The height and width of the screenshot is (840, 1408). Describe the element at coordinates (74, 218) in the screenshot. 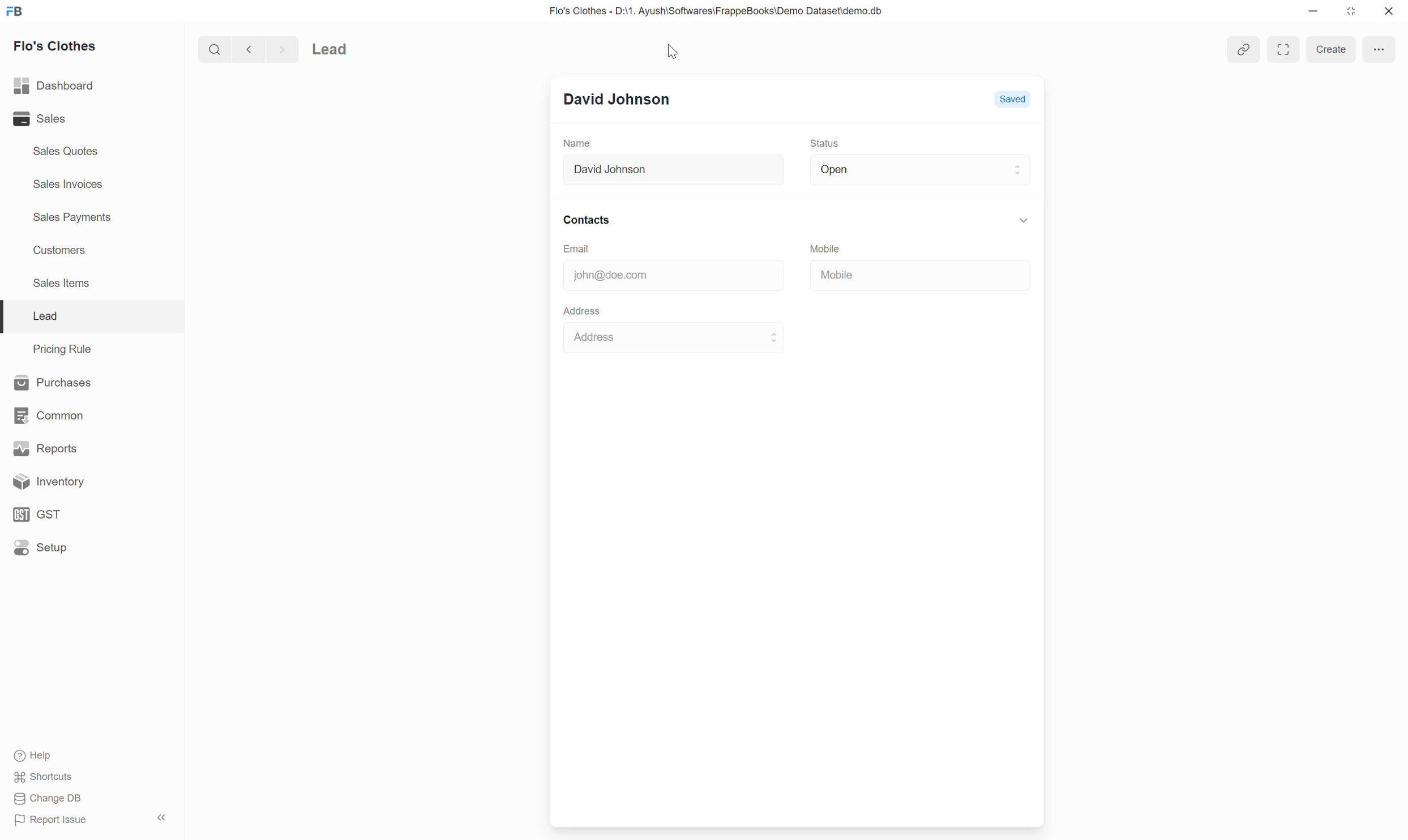

I see `Sales Payments` at that location.